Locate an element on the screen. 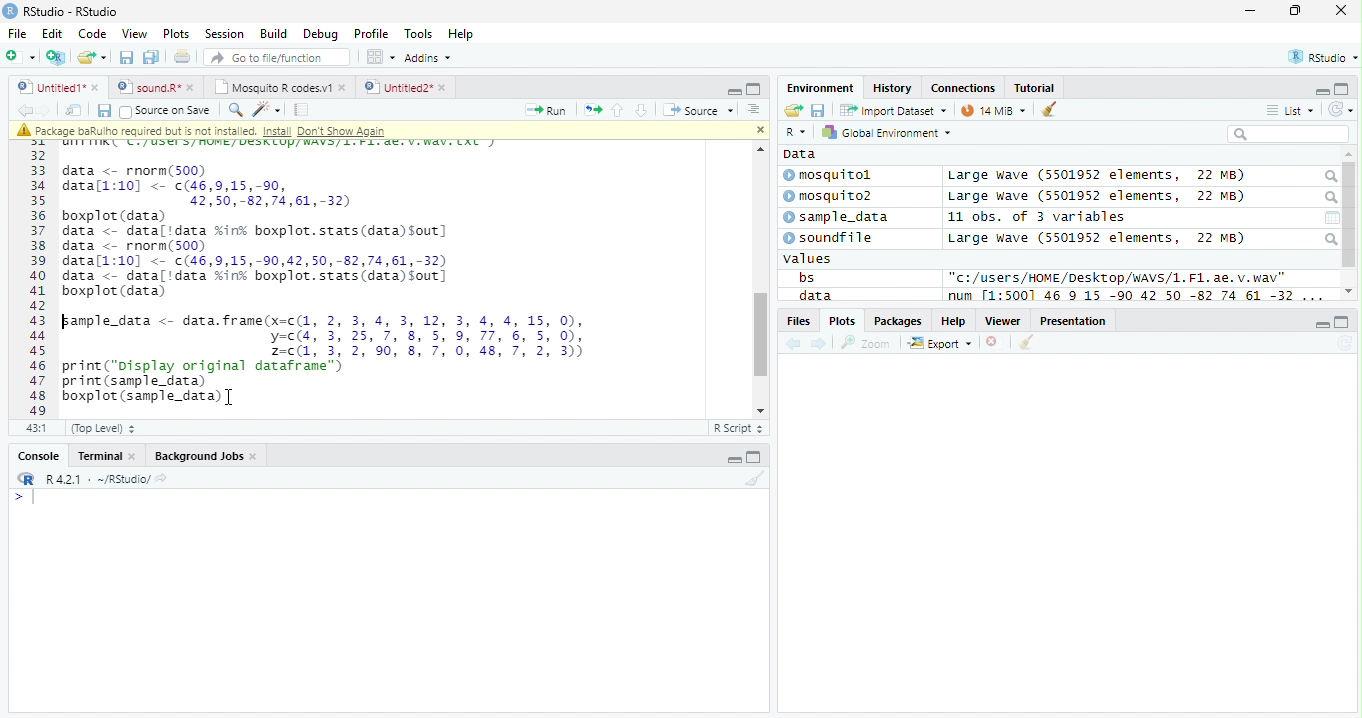  View is located at coordinates (136, 33).